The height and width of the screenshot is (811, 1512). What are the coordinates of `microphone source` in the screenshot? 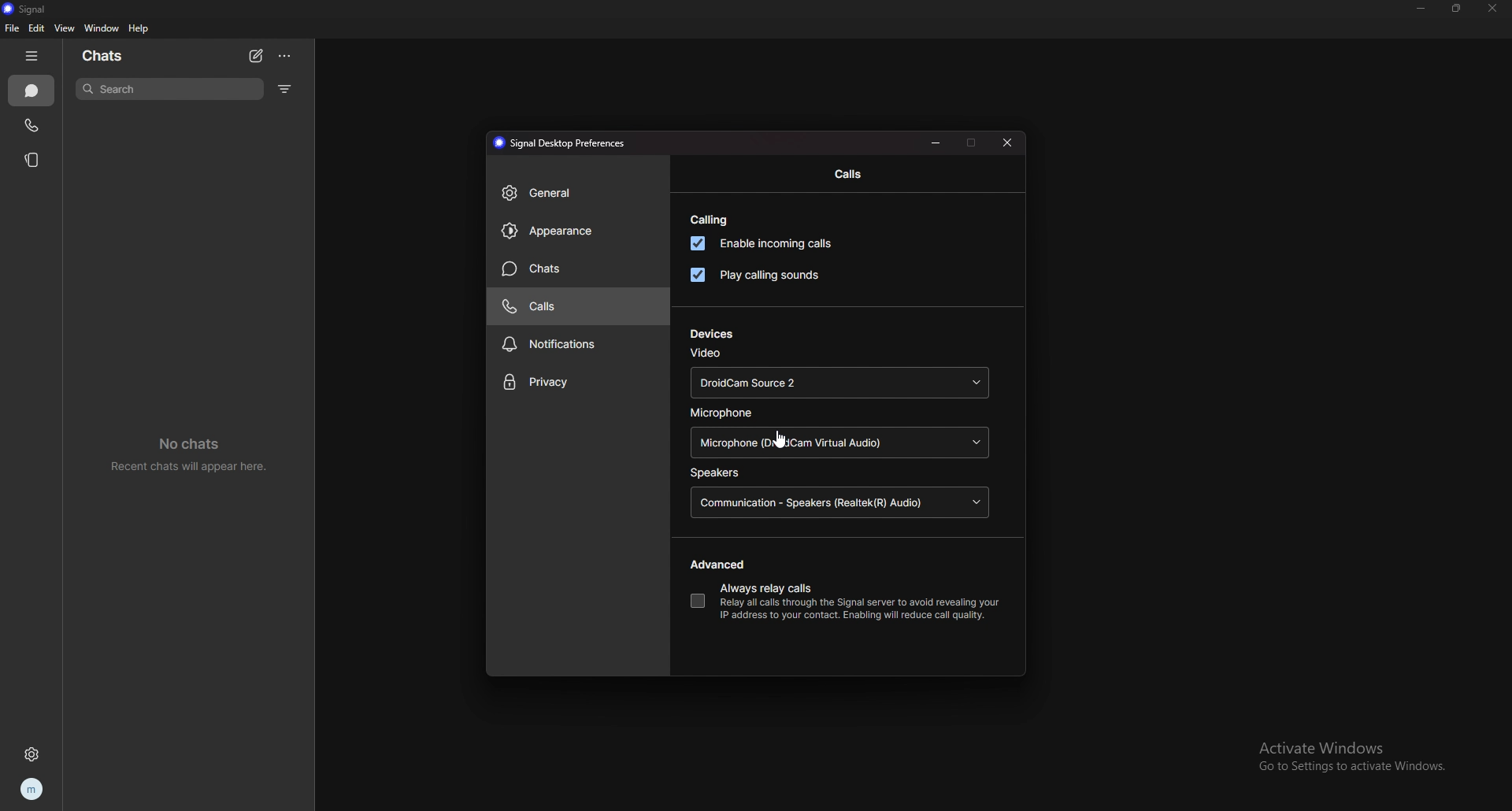 It's located at (839, 443).